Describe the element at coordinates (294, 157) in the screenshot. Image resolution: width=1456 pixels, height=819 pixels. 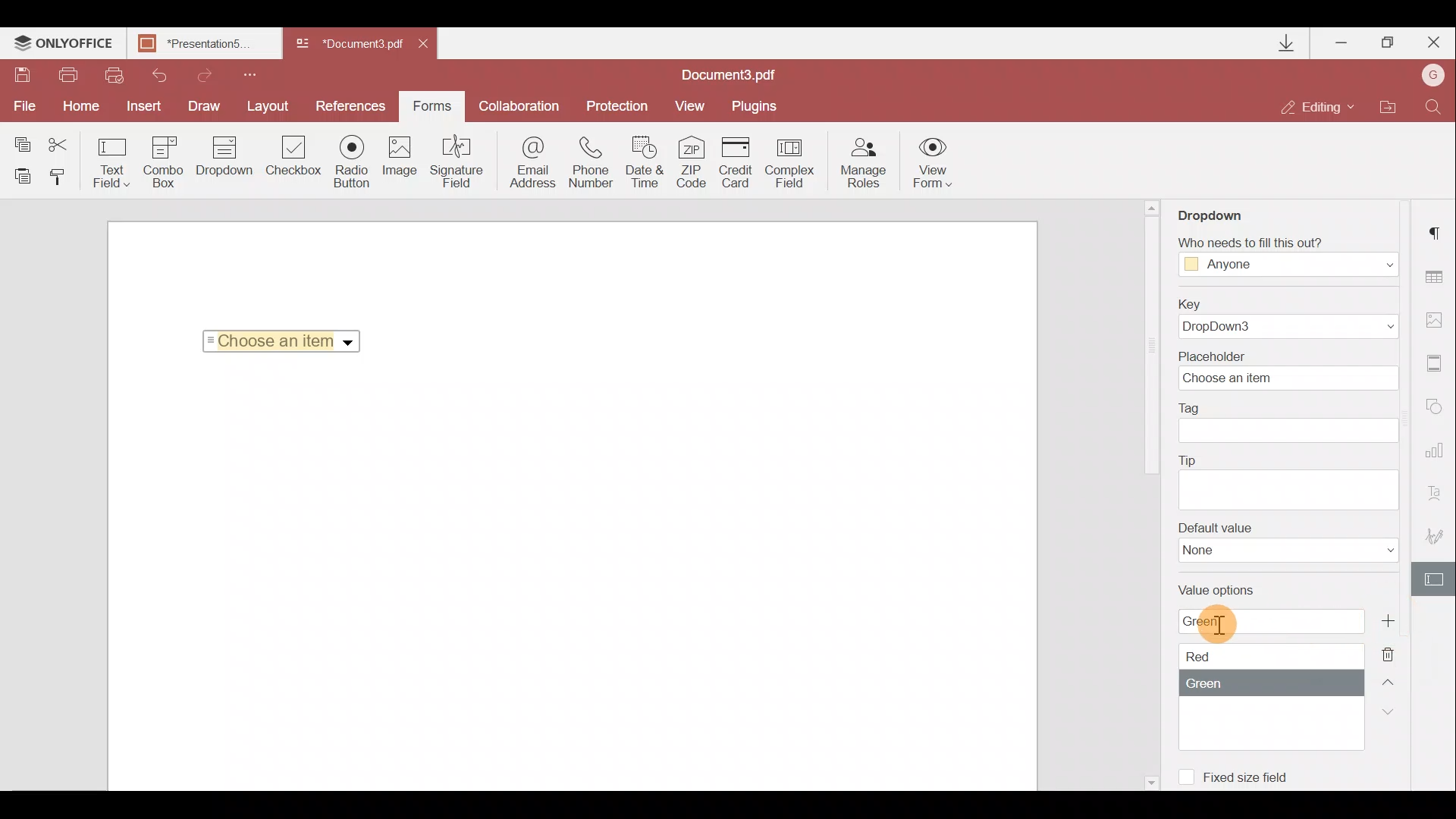
I see `Checkbox` at that location.